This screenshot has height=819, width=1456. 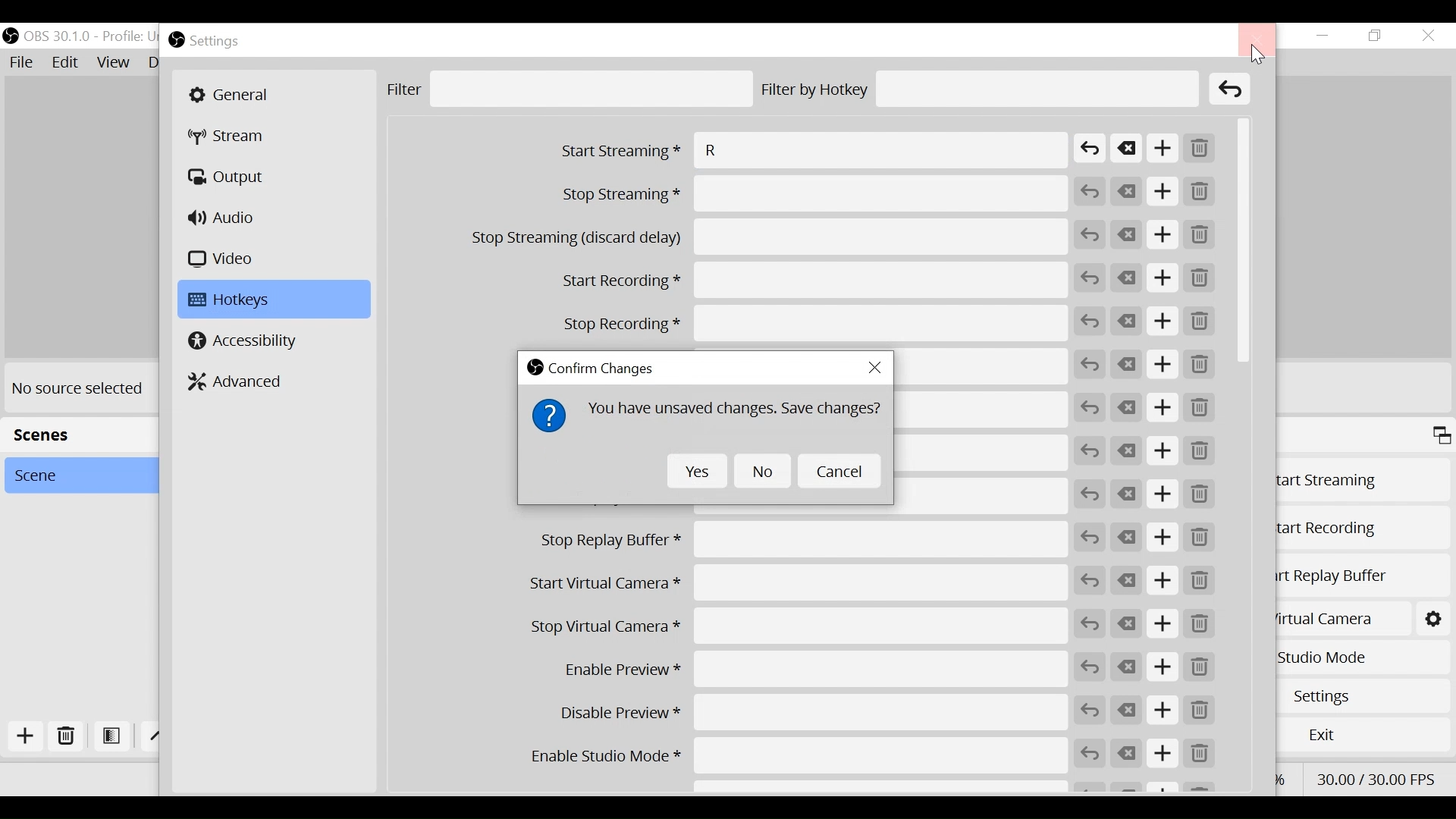 What do you see at coordinates (1200, 539) in the screenshot?
I see `Remove` at bounding box center [1200, 539].